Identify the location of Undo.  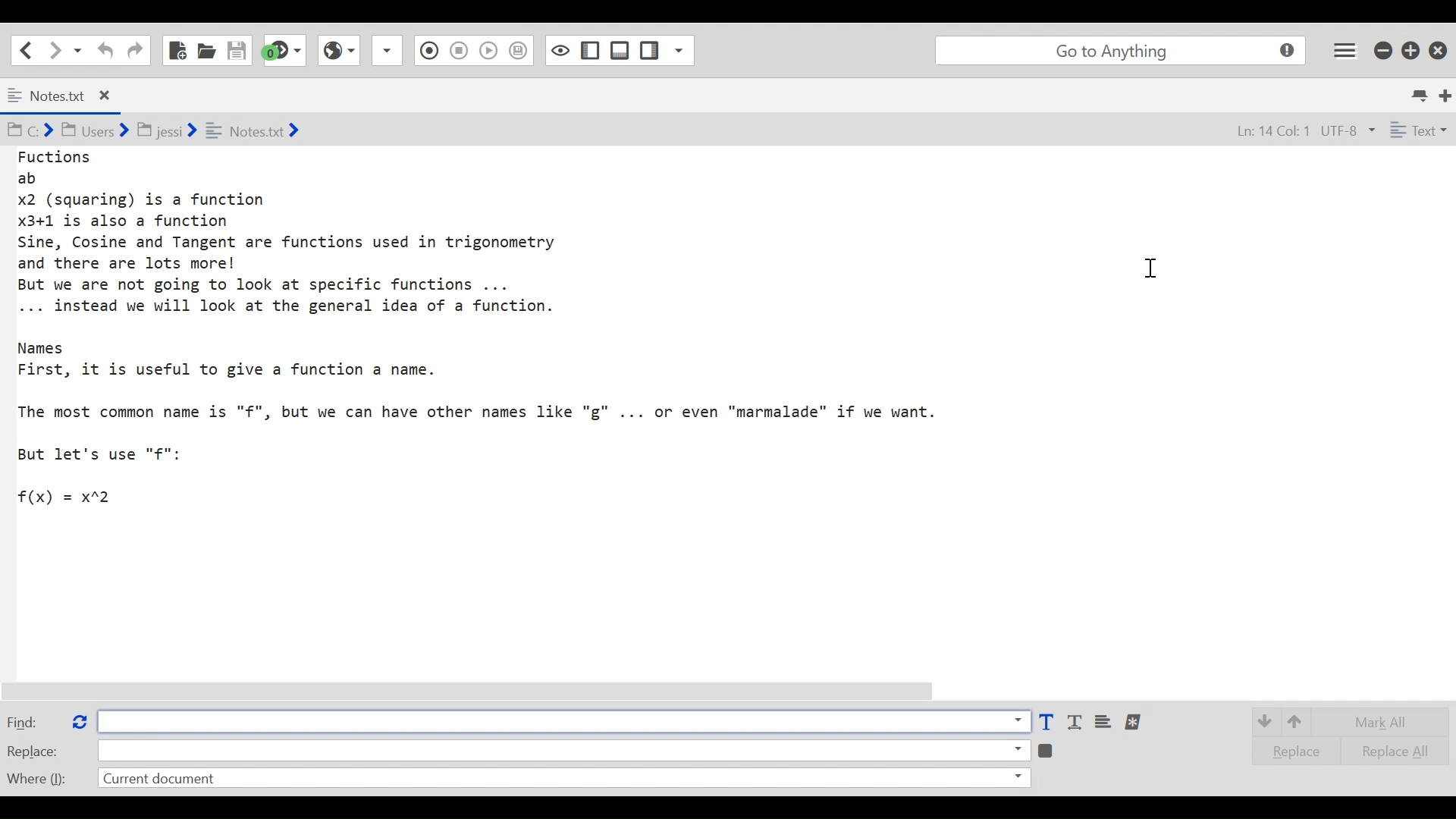
(103, 50).